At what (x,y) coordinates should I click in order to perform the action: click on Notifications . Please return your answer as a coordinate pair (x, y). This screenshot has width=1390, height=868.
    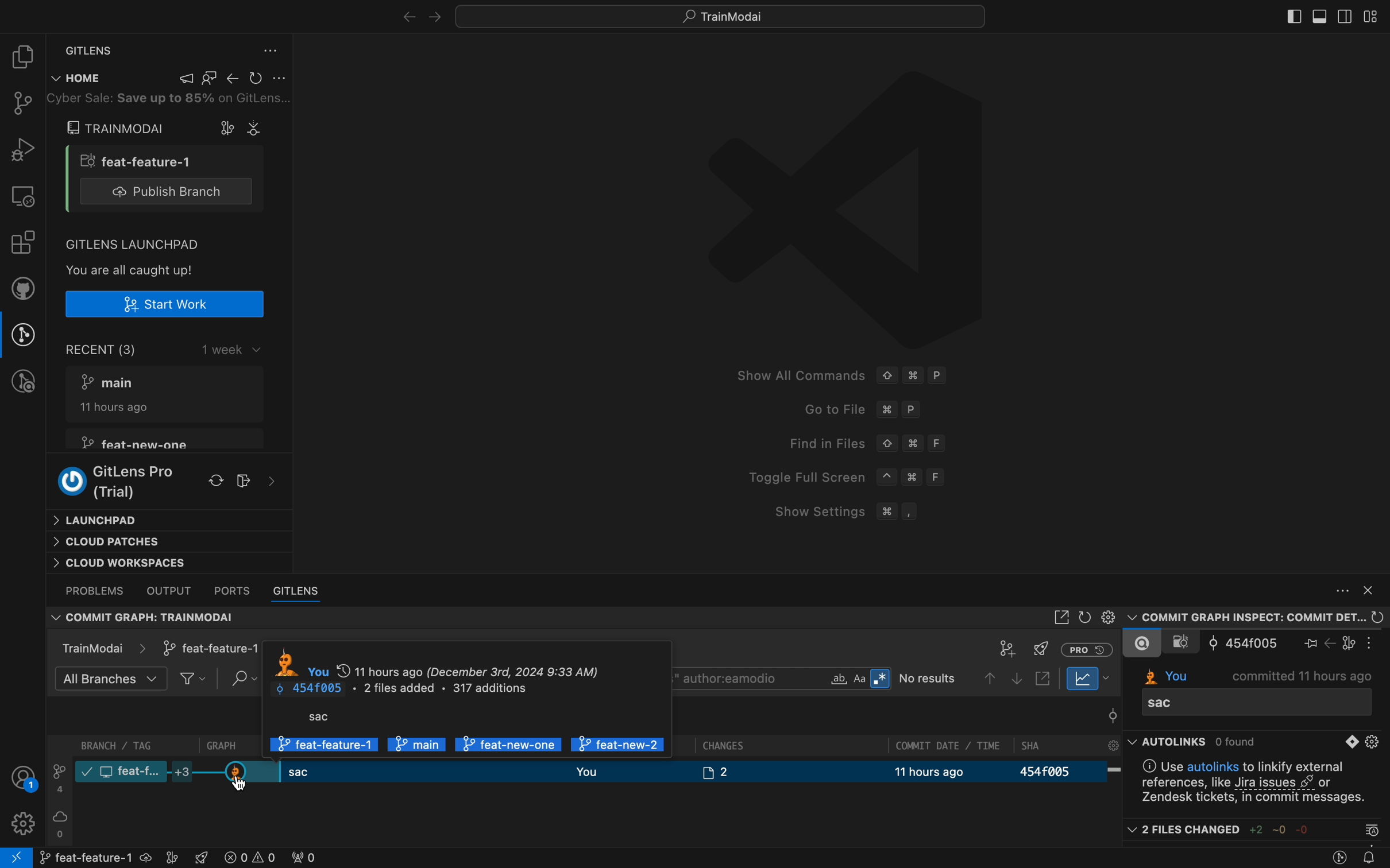
    Looking at the image, I should click on (1370, 857).